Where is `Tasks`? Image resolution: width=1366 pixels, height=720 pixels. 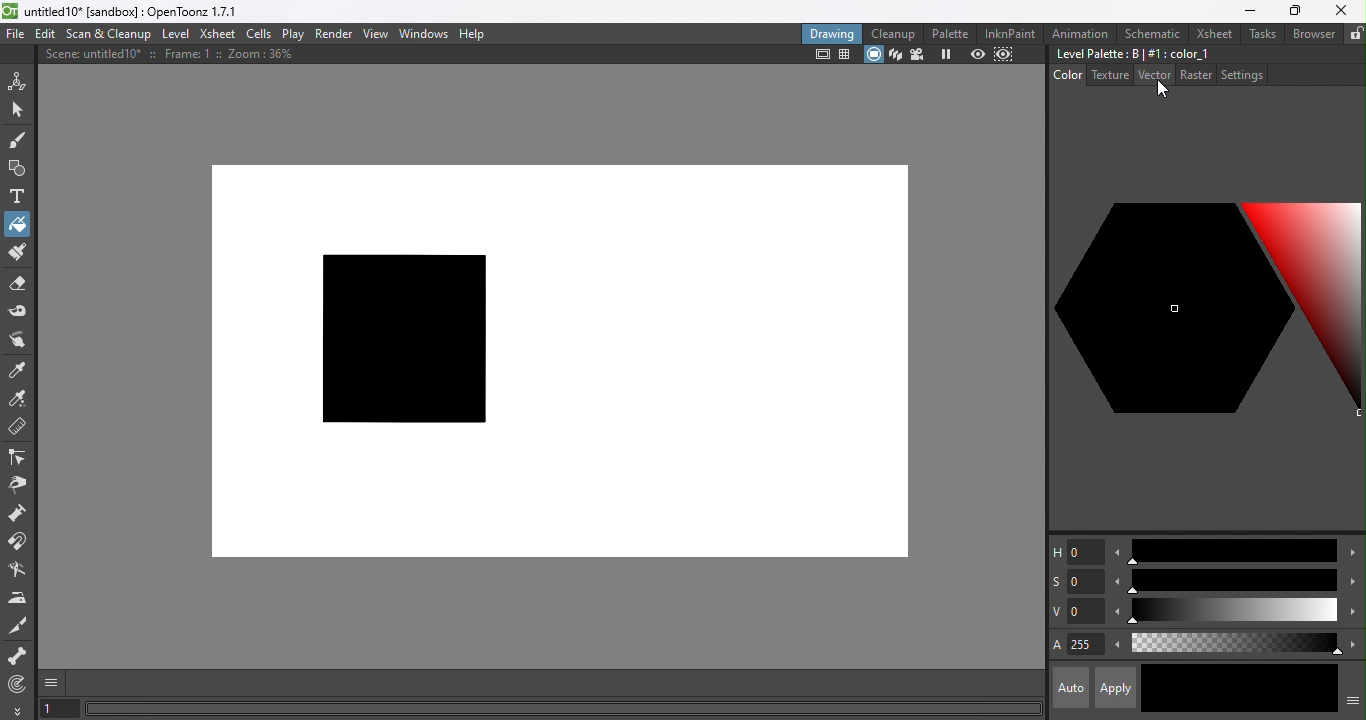 Tasks is located at coordinates (1261, 34).